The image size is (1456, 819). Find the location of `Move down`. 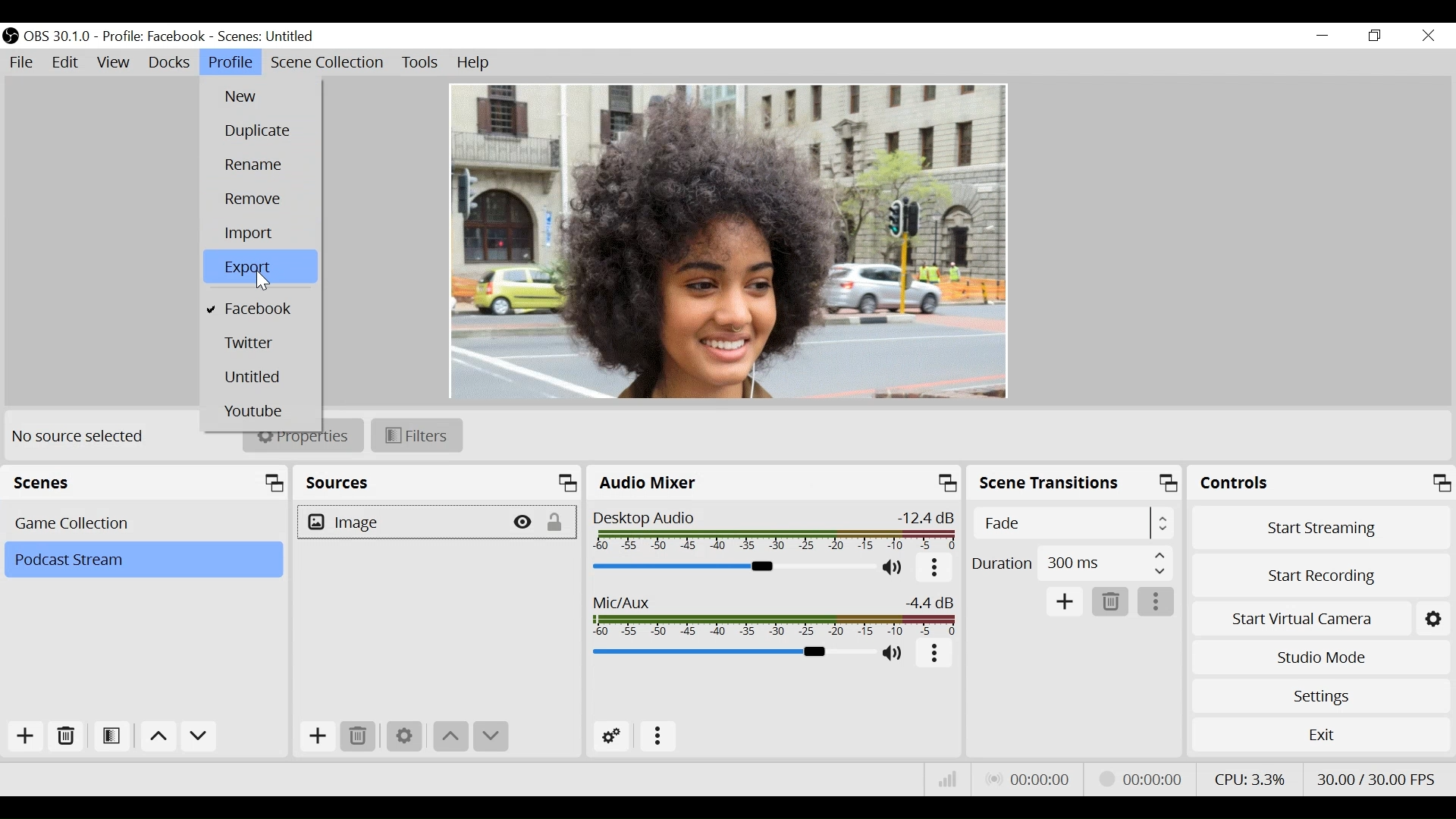

Move down is located at coordinates (491, 737).